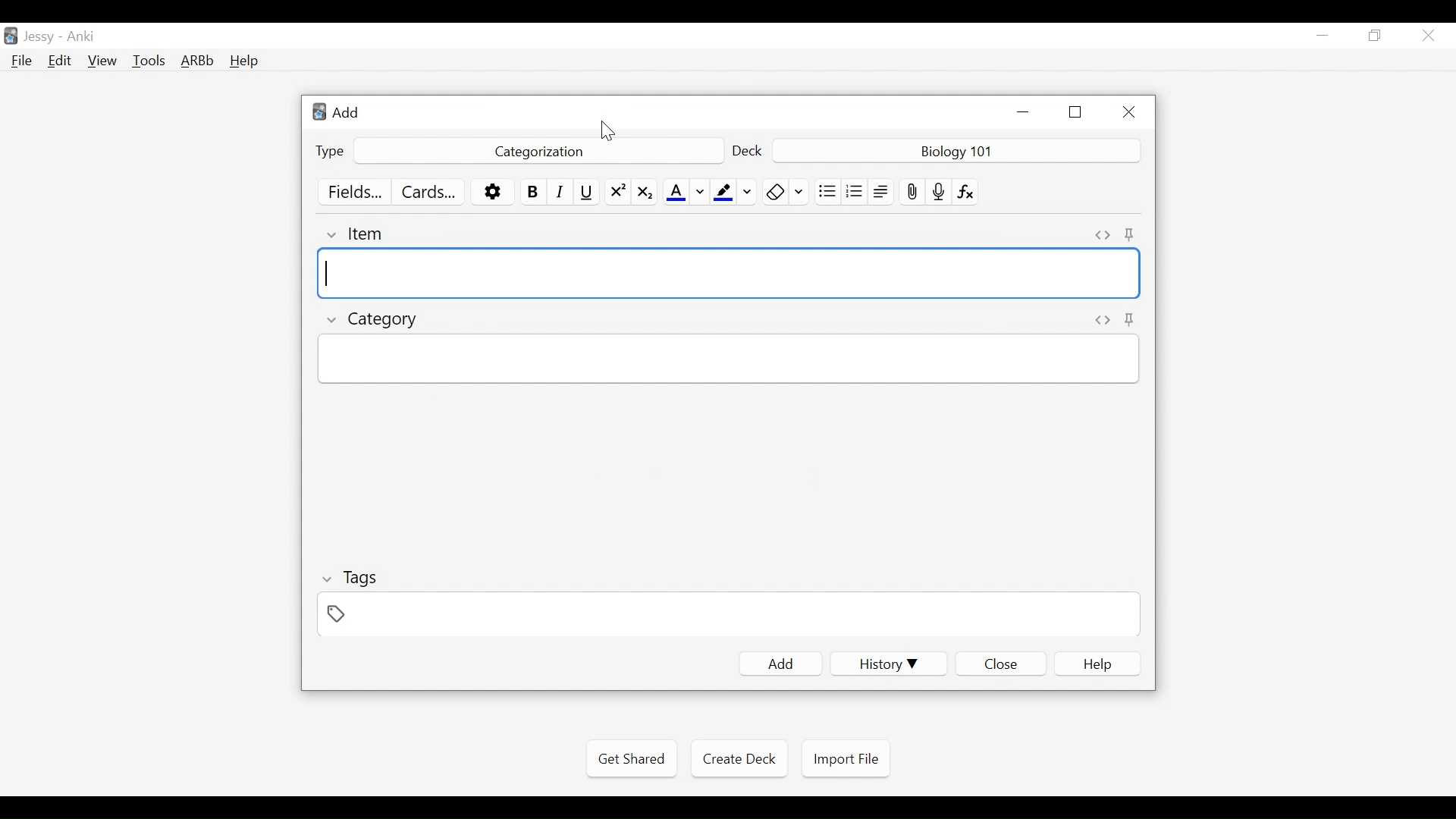 This screenshot has height=819, width=1456. I want to click on Subscript, so click(645, 192).